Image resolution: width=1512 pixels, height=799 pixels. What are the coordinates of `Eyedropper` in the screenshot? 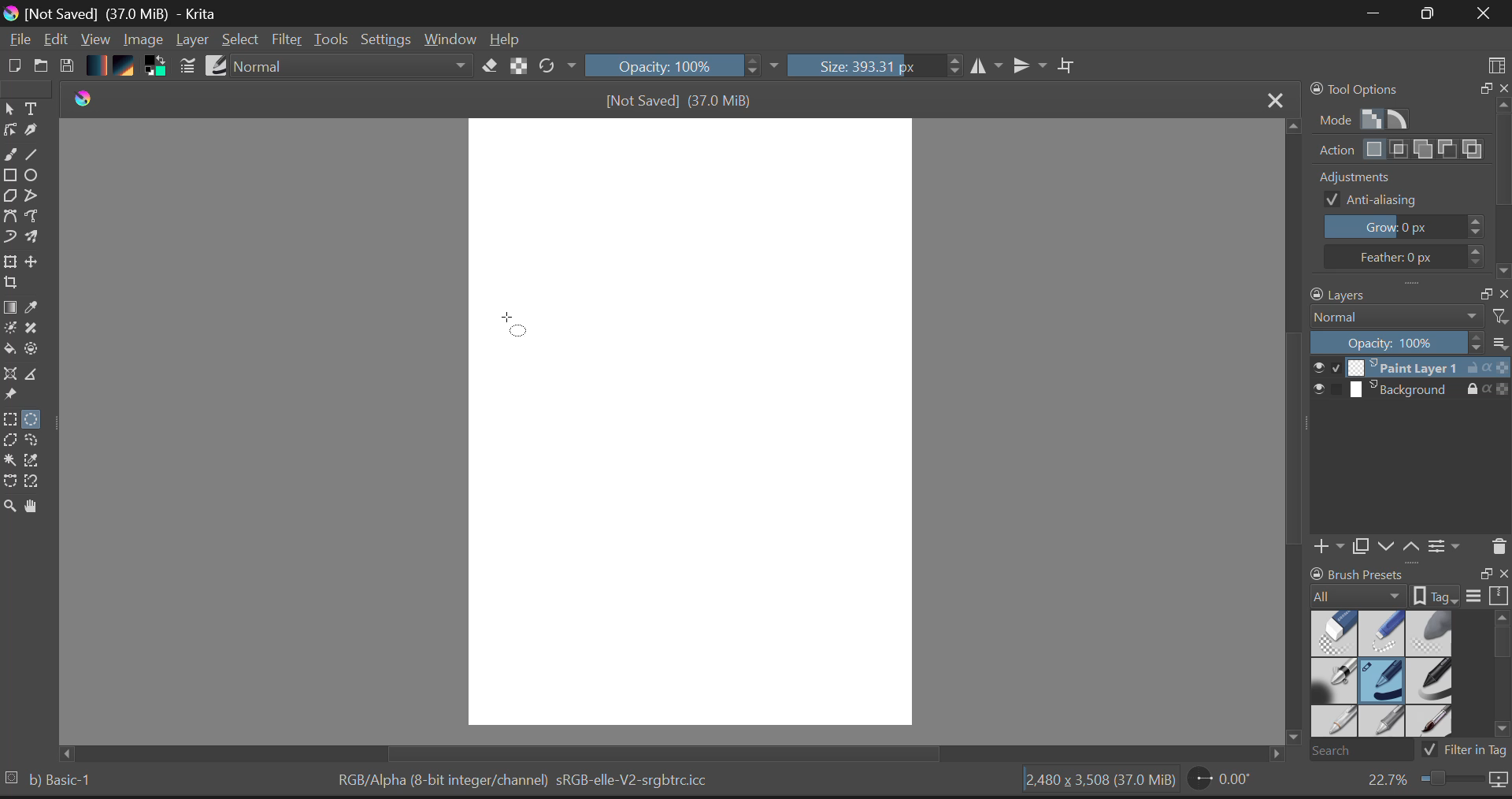 It's located at (35, 310).